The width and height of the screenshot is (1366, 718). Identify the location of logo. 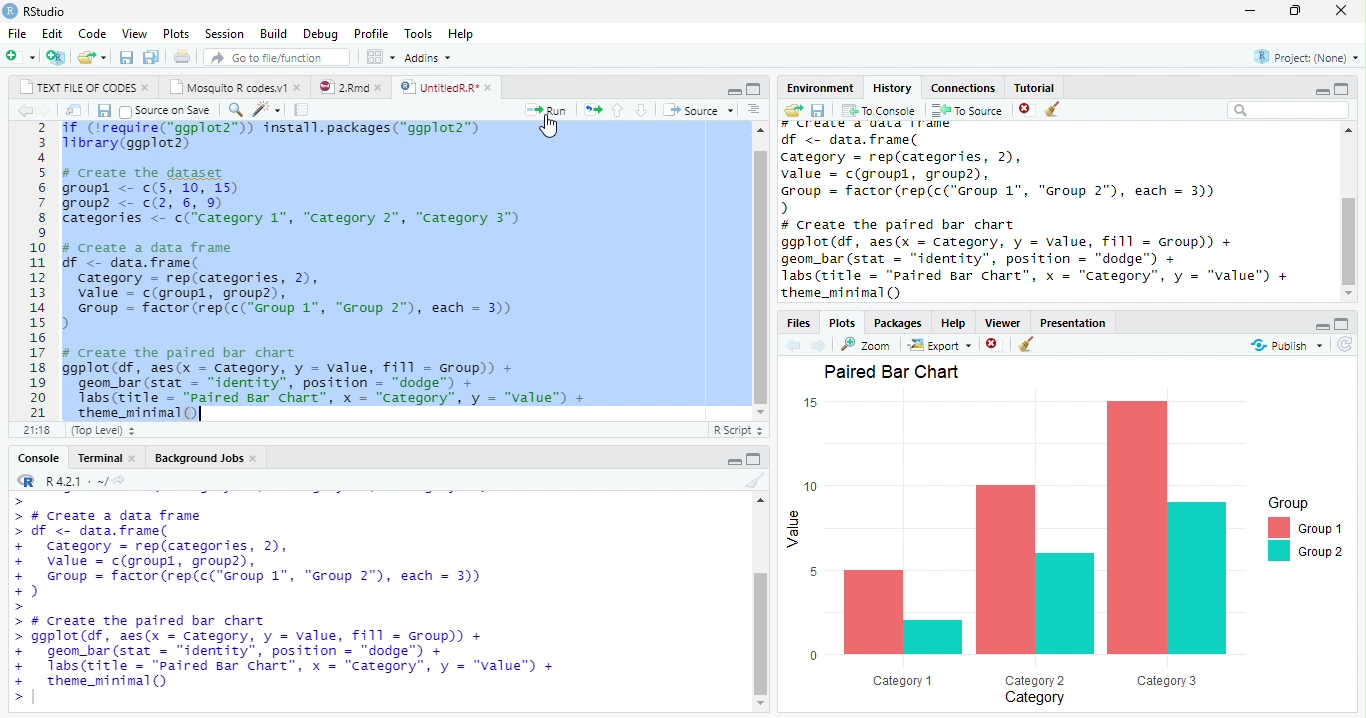
(11, 12).